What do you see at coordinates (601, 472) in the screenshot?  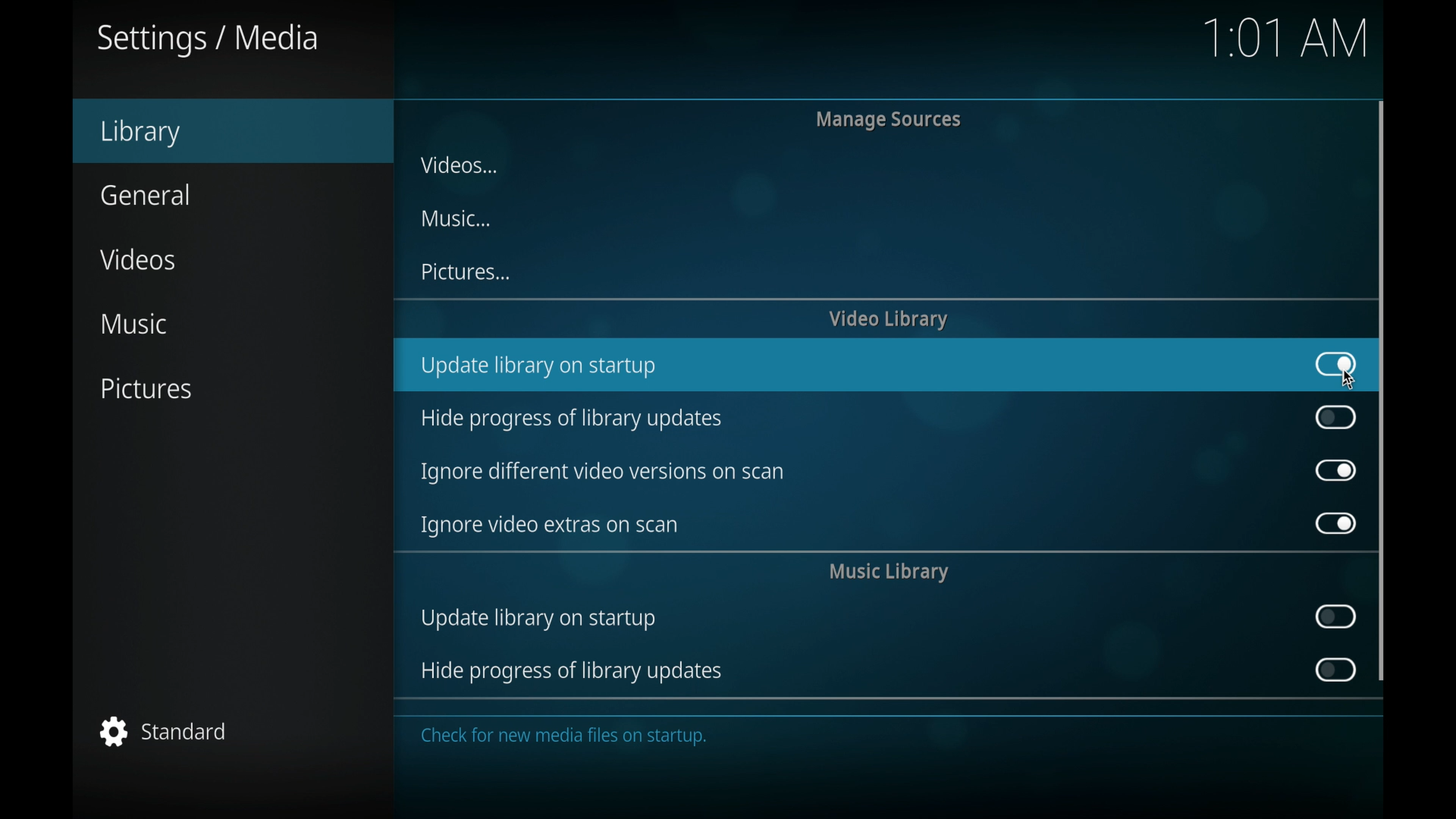 I see `ignore different video versions on scan` at bounding box center [601, 472].